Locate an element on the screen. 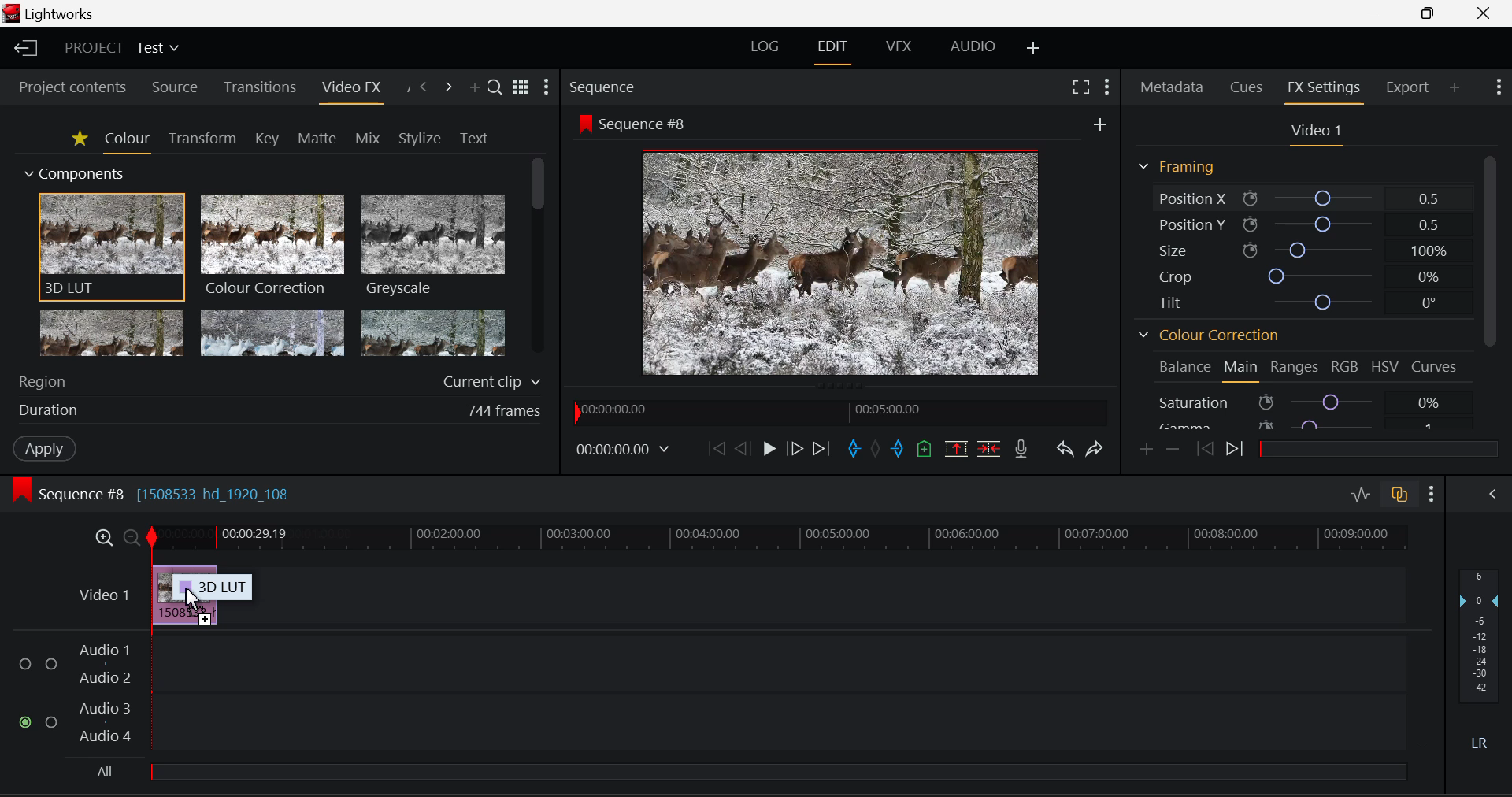 The width and height of the screenshot is (1512, 797). Redo is located at coordinates (1095, 450).